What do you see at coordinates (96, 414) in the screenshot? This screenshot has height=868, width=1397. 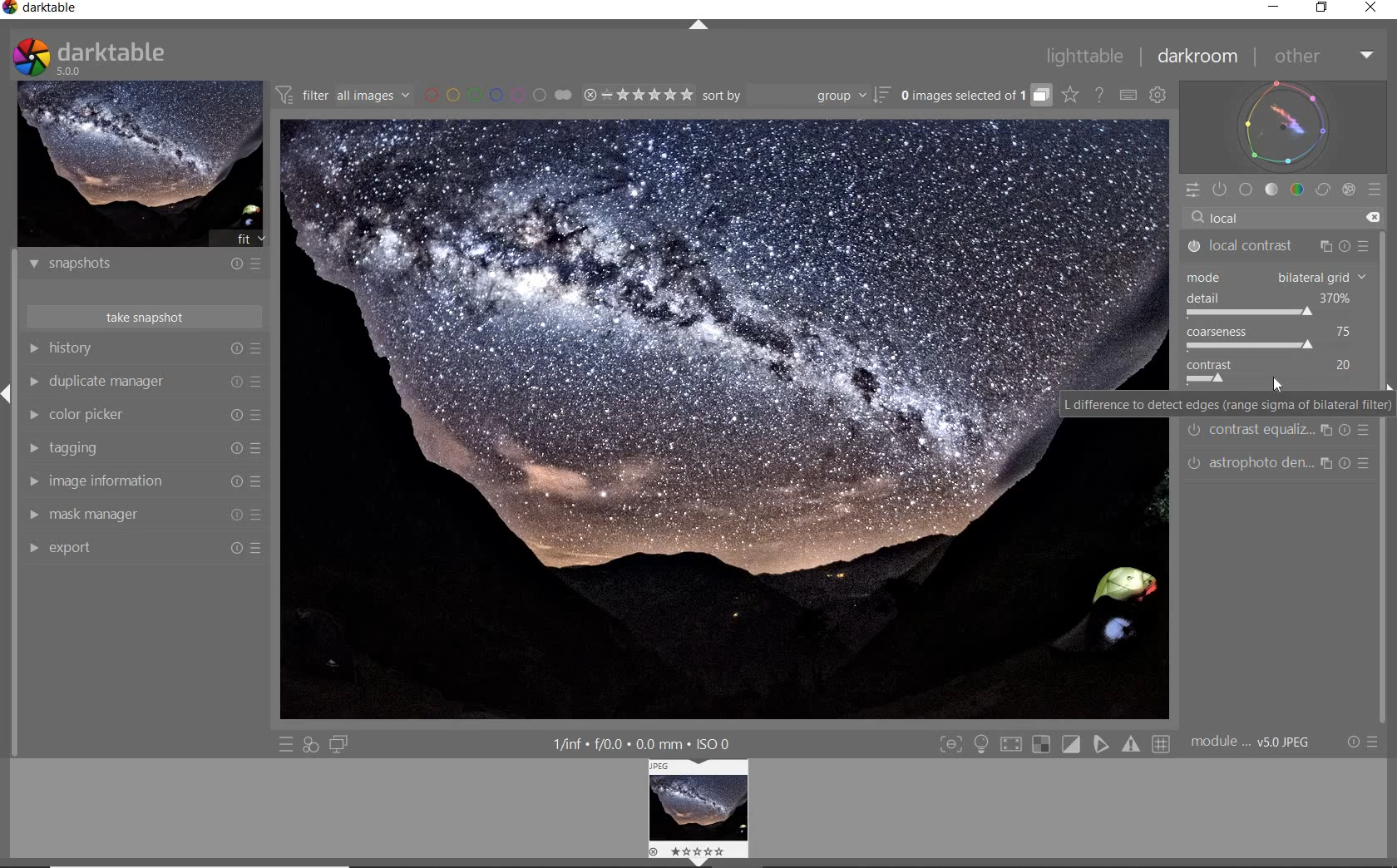 I see `color picker` at bounding box center [96, 414].